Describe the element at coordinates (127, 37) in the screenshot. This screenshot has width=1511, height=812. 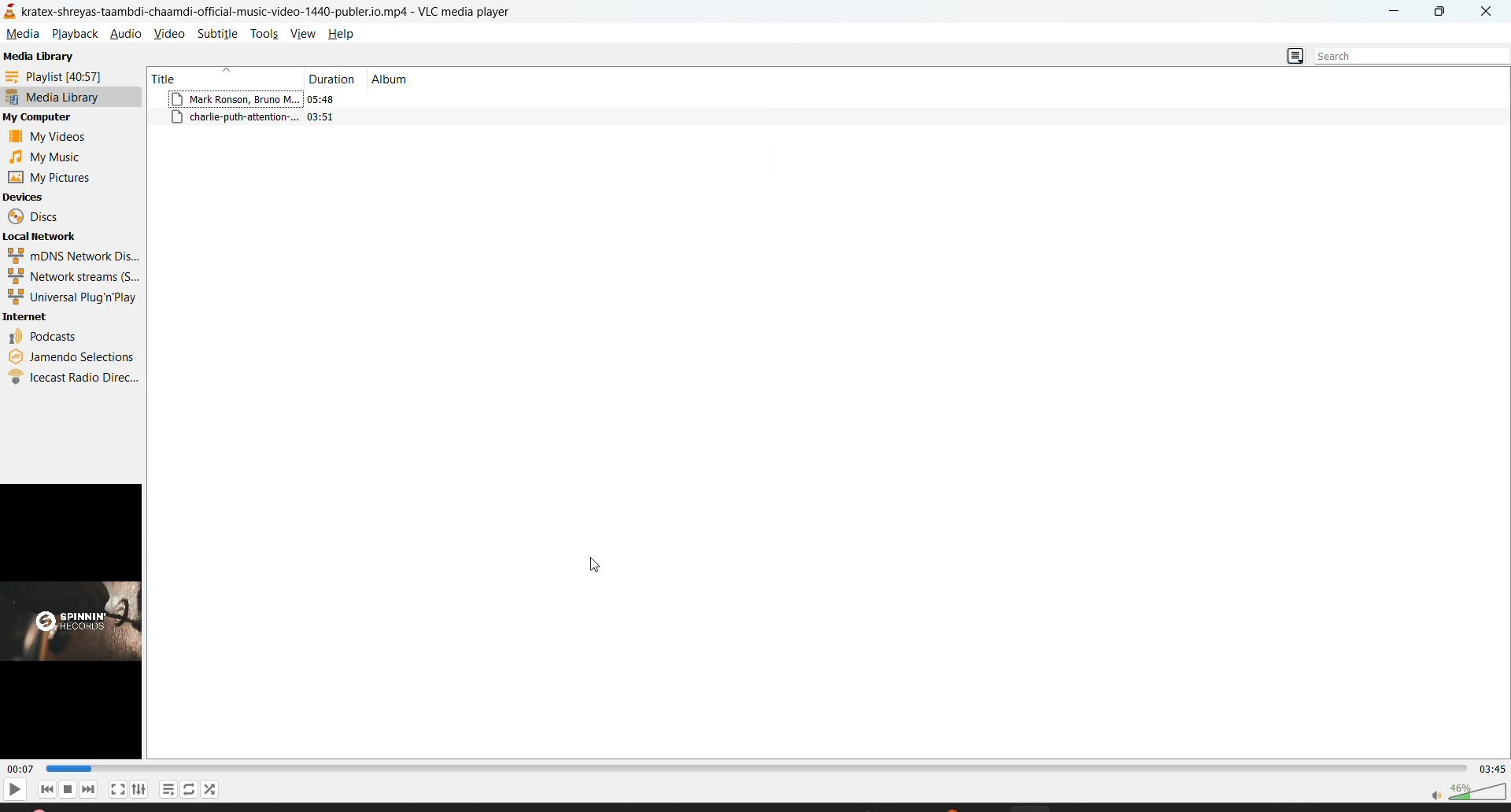
I see `audio` at that location.